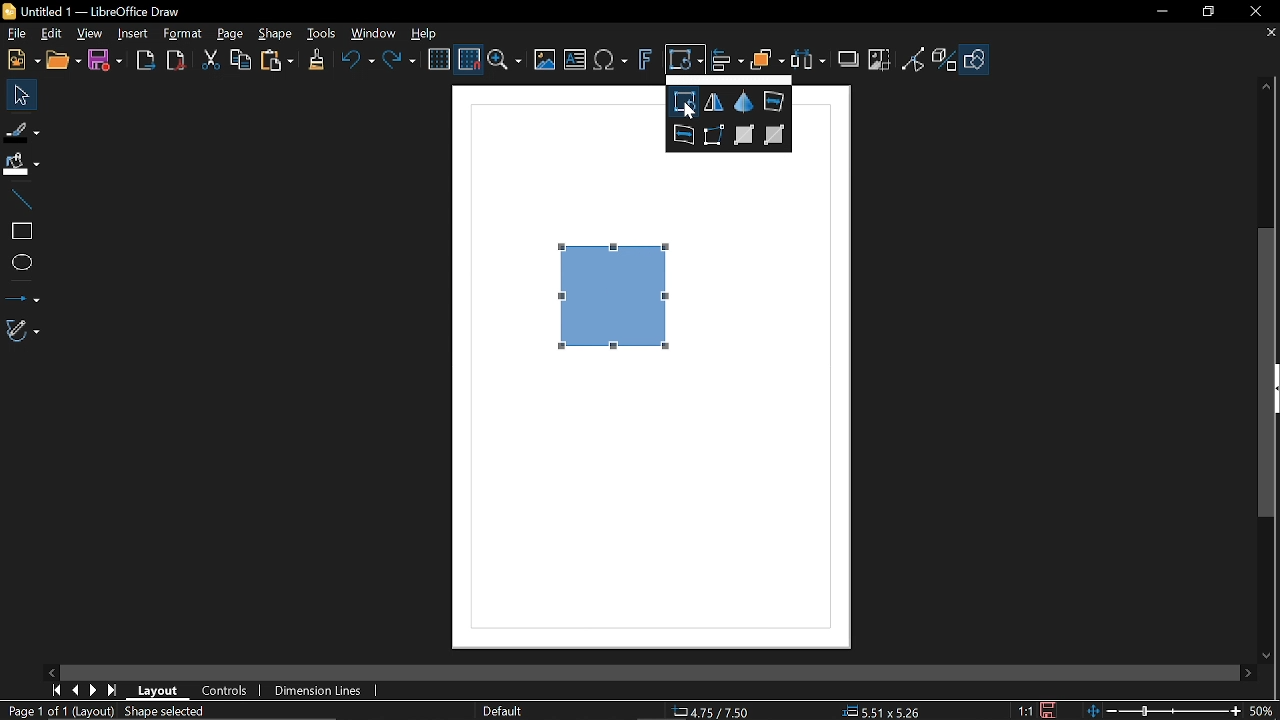  I want to click on Zoom, so click(506, 60).